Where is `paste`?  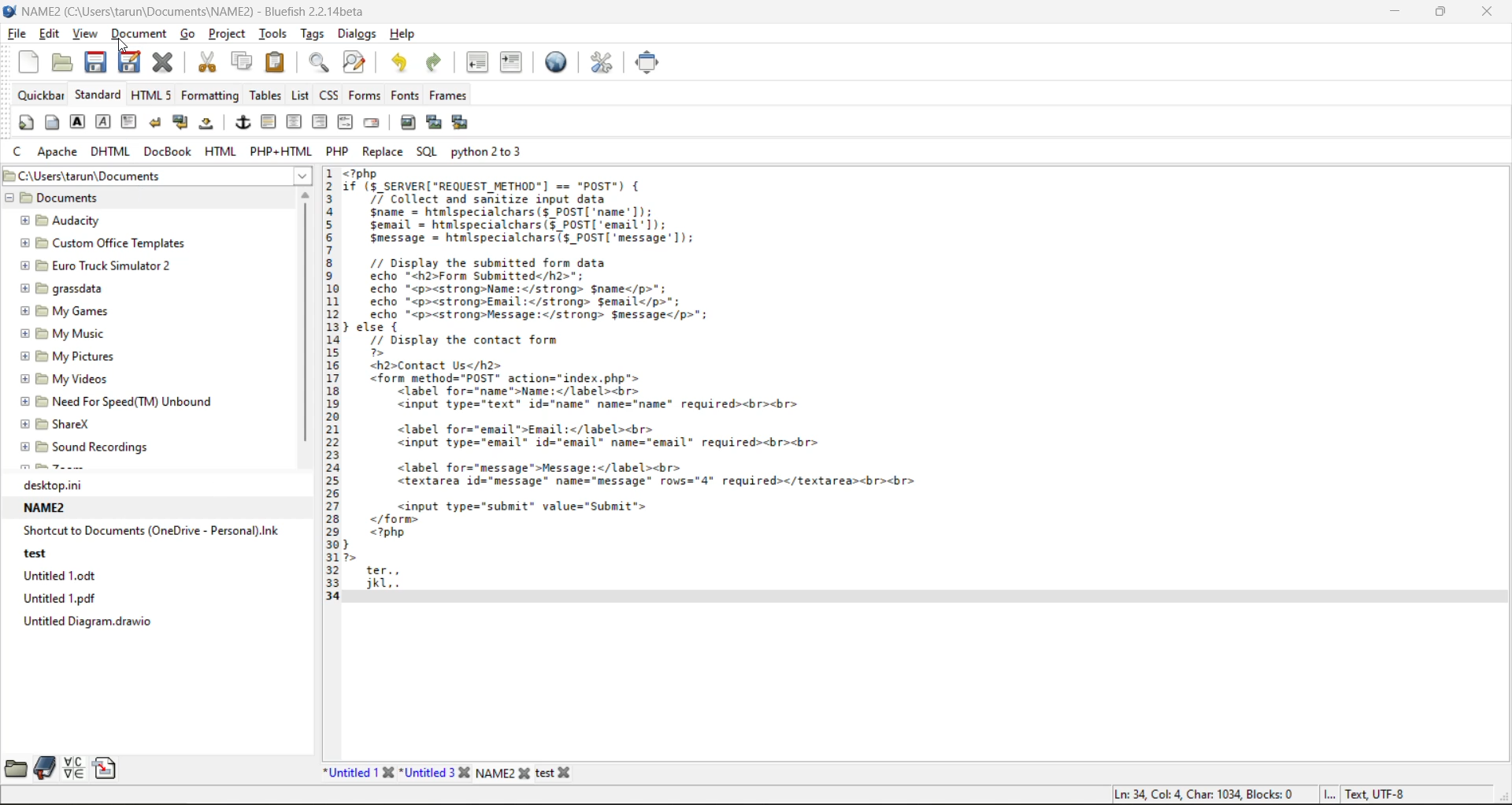
paste is located at coordinates (276, 61).